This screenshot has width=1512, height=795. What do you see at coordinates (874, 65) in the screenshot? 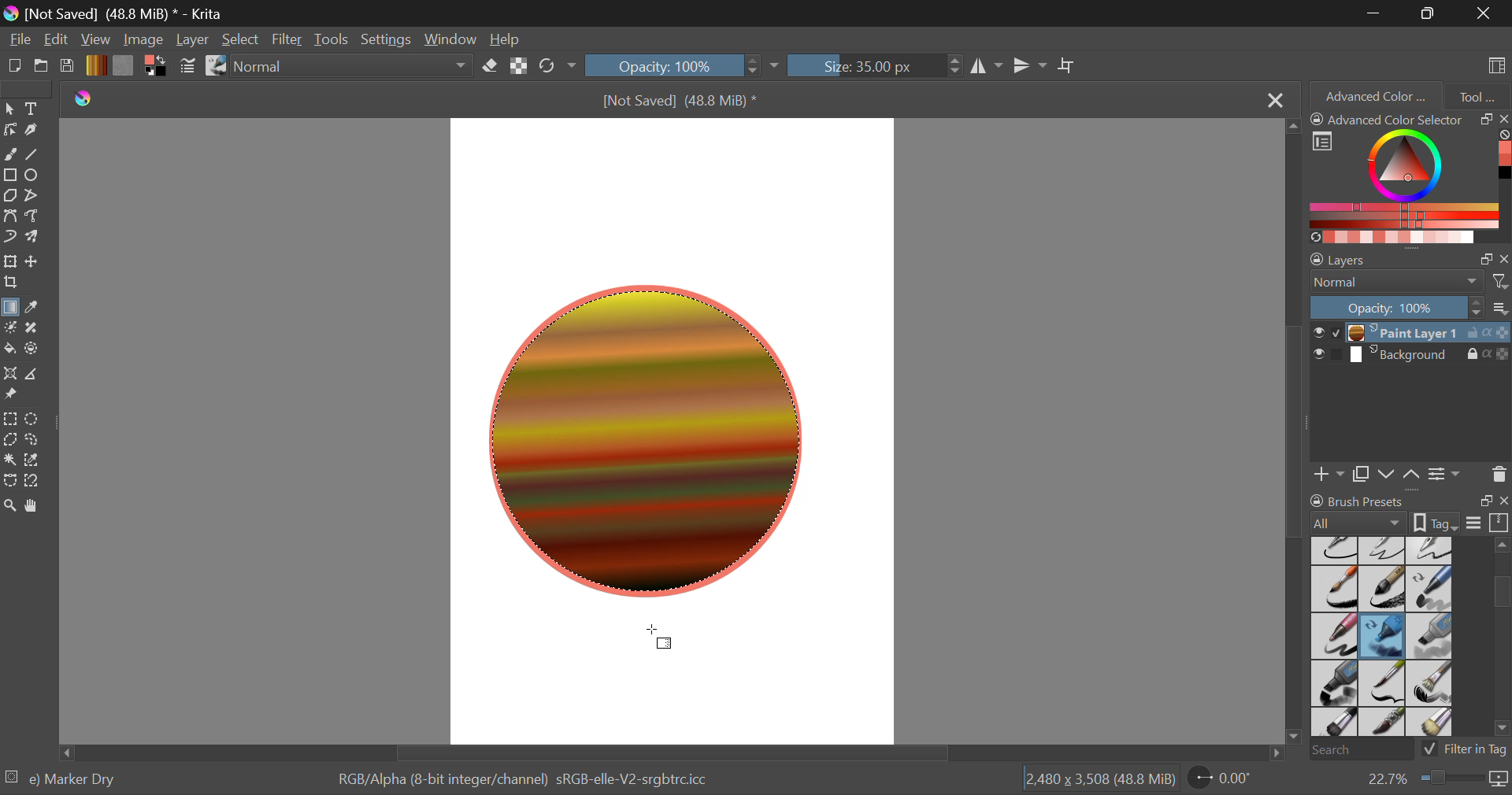
I see `Size :35px` at bounding box center [874, 65].